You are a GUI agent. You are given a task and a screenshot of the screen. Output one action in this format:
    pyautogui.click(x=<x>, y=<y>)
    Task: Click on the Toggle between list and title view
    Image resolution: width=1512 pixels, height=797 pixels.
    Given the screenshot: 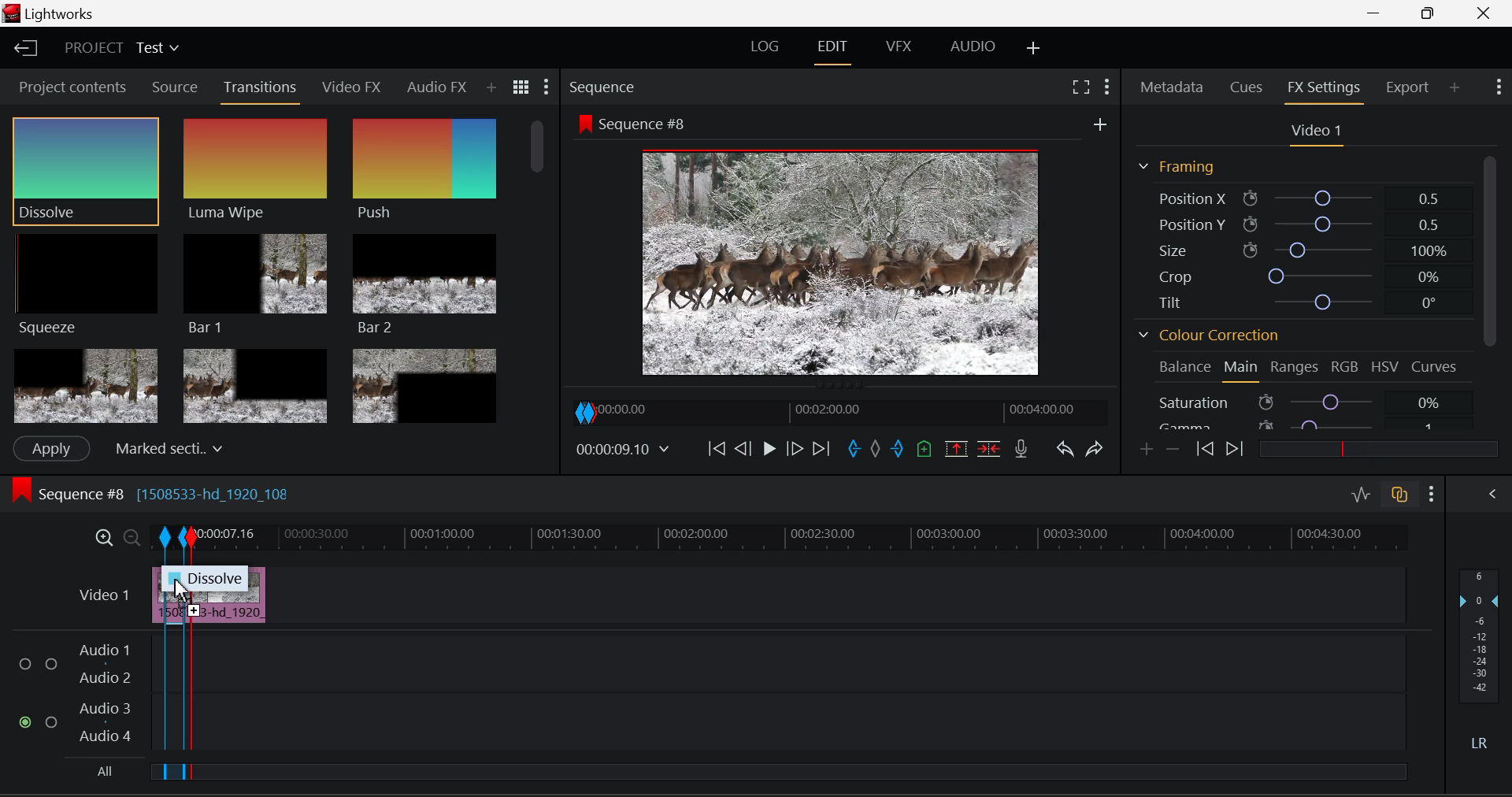 What is the action you would take?
    pyautogui.click(x=521, y=87)
    